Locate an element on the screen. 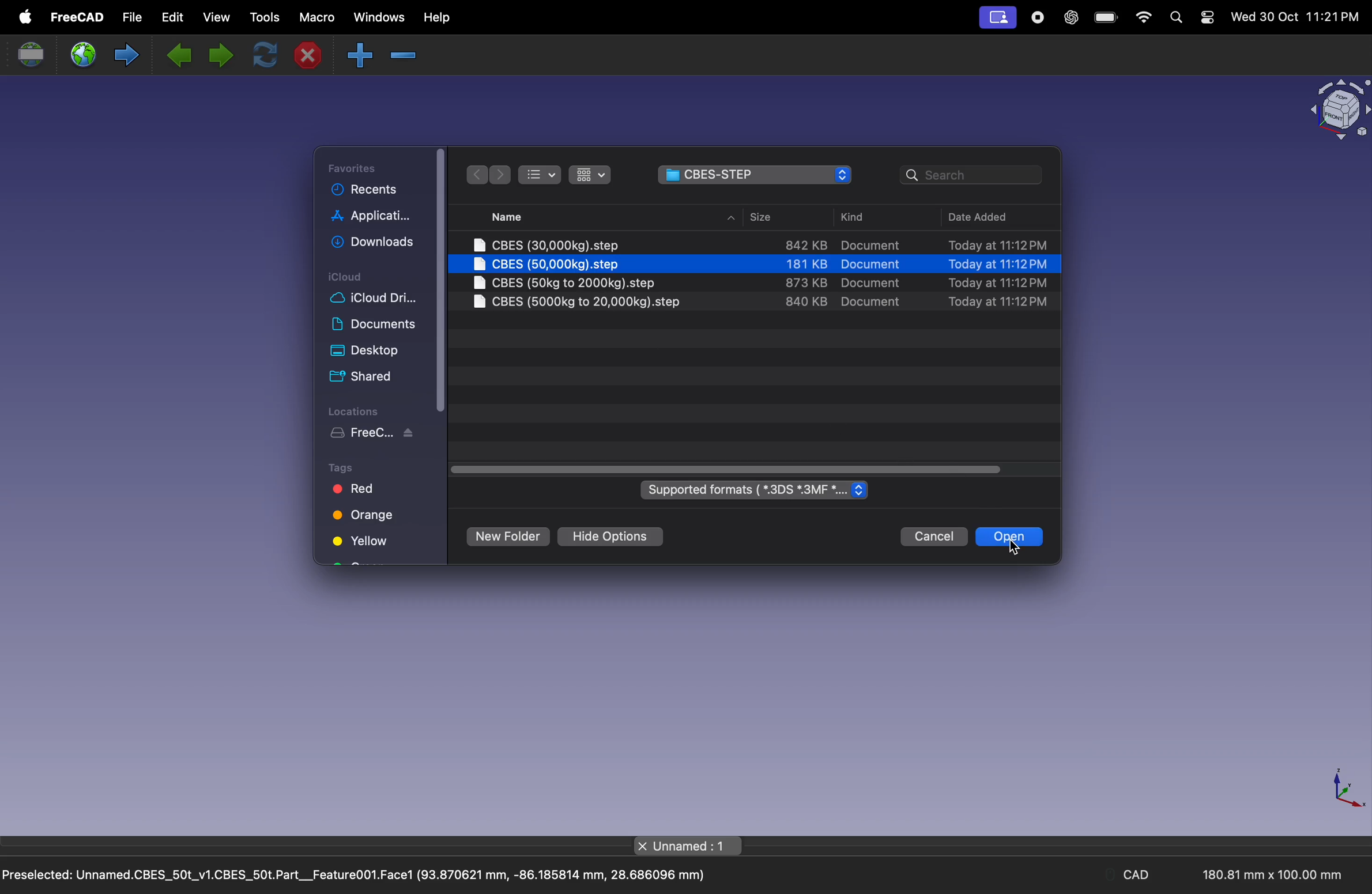 This screenshot has width=1372, height=894. up is located at coordinates (730, 219).